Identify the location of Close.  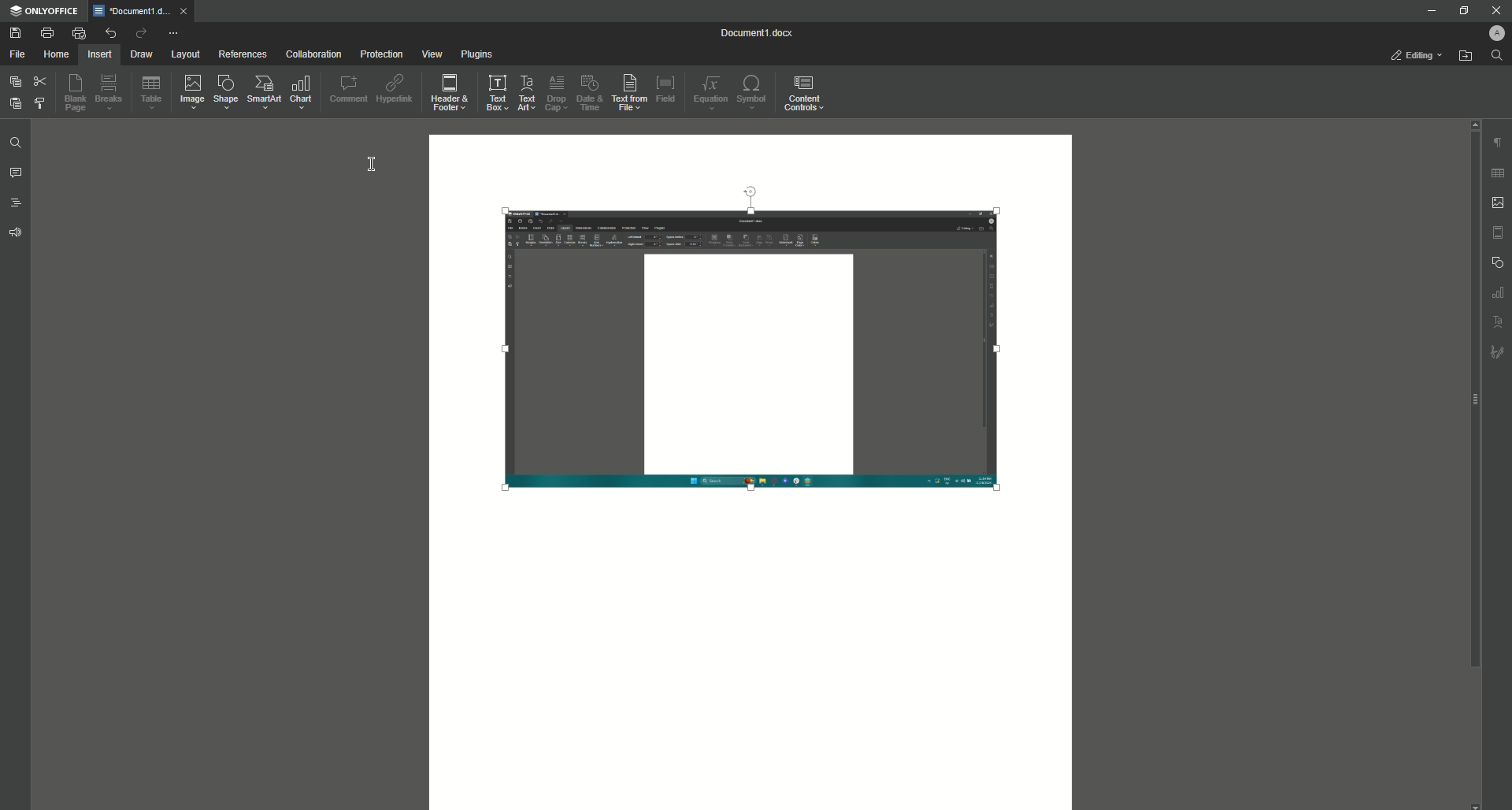
(1493, 9).